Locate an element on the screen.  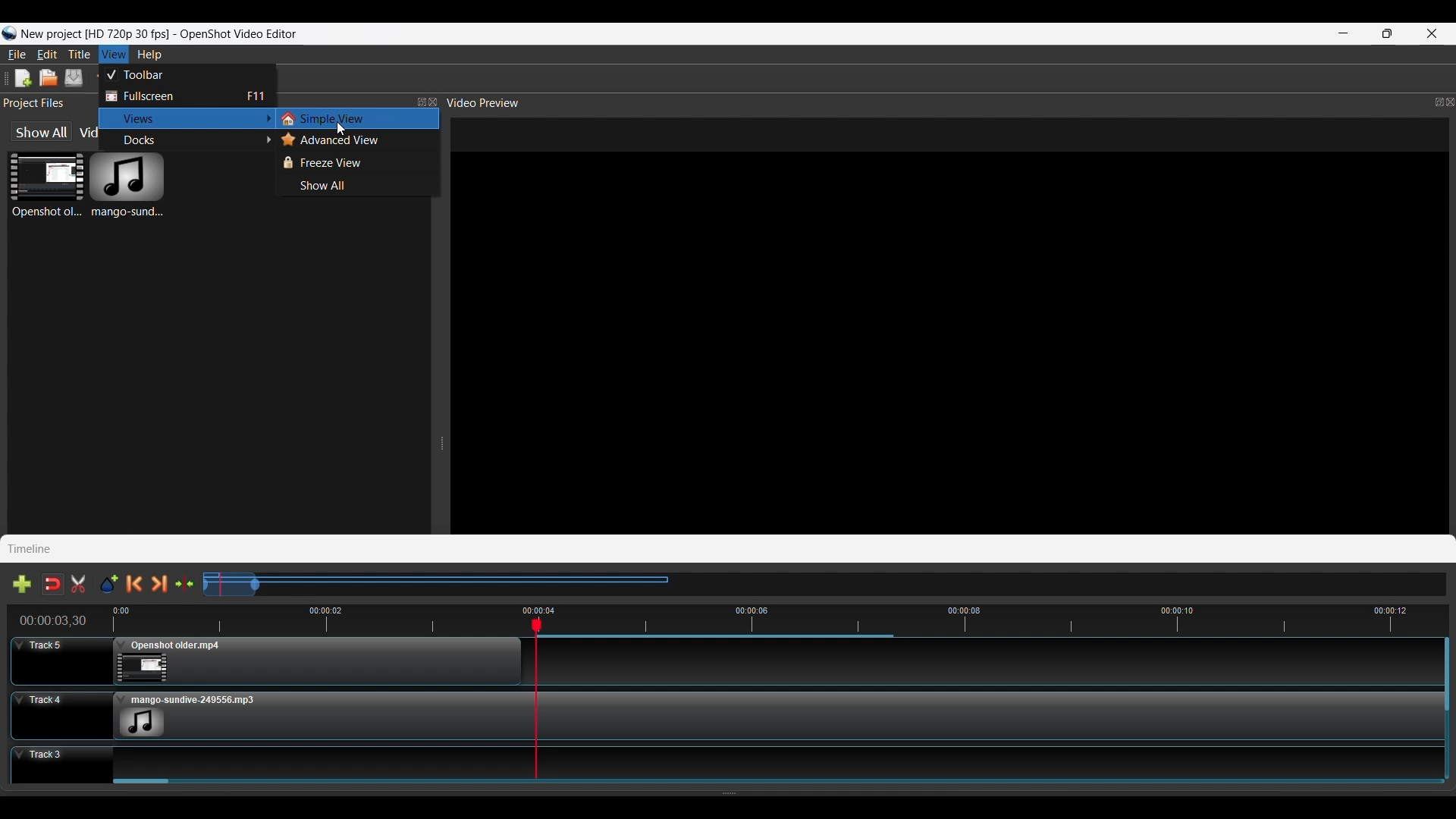
Title is located at coordinates (80, 54).